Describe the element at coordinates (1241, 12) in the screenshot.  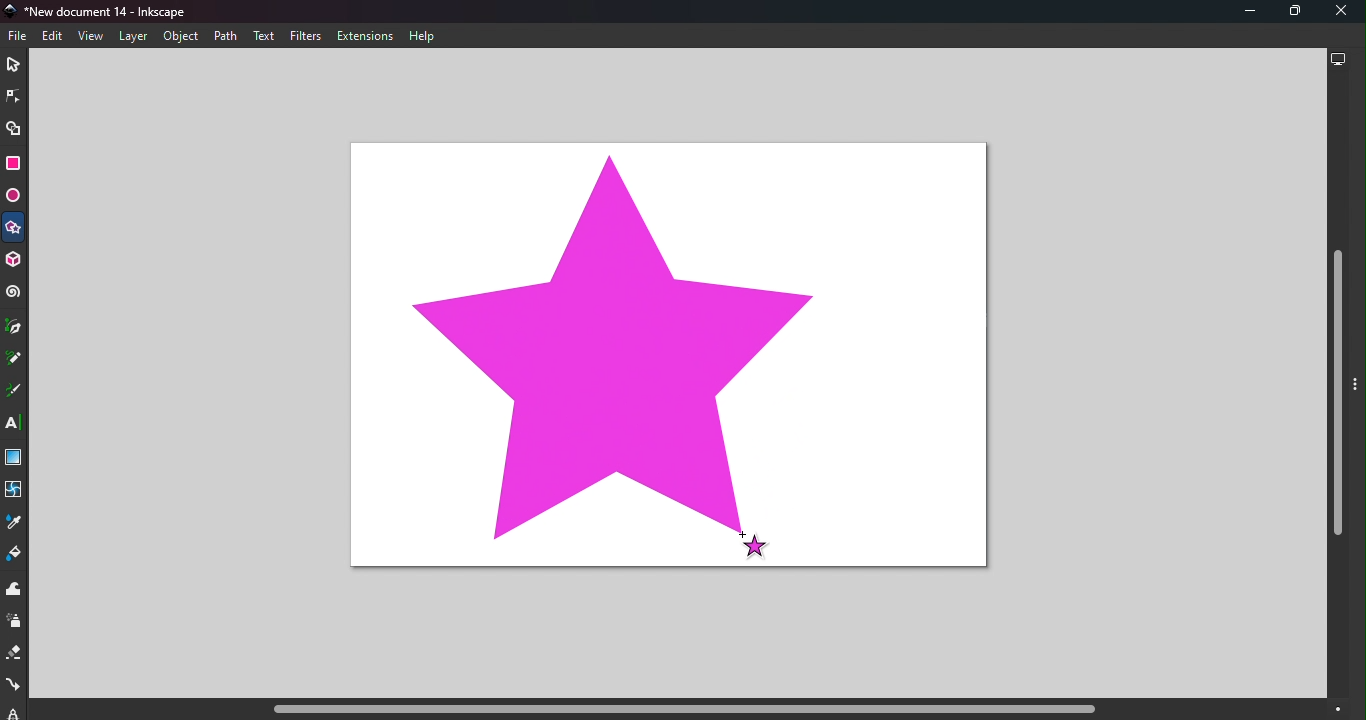
I see `Minimize ` at that location.